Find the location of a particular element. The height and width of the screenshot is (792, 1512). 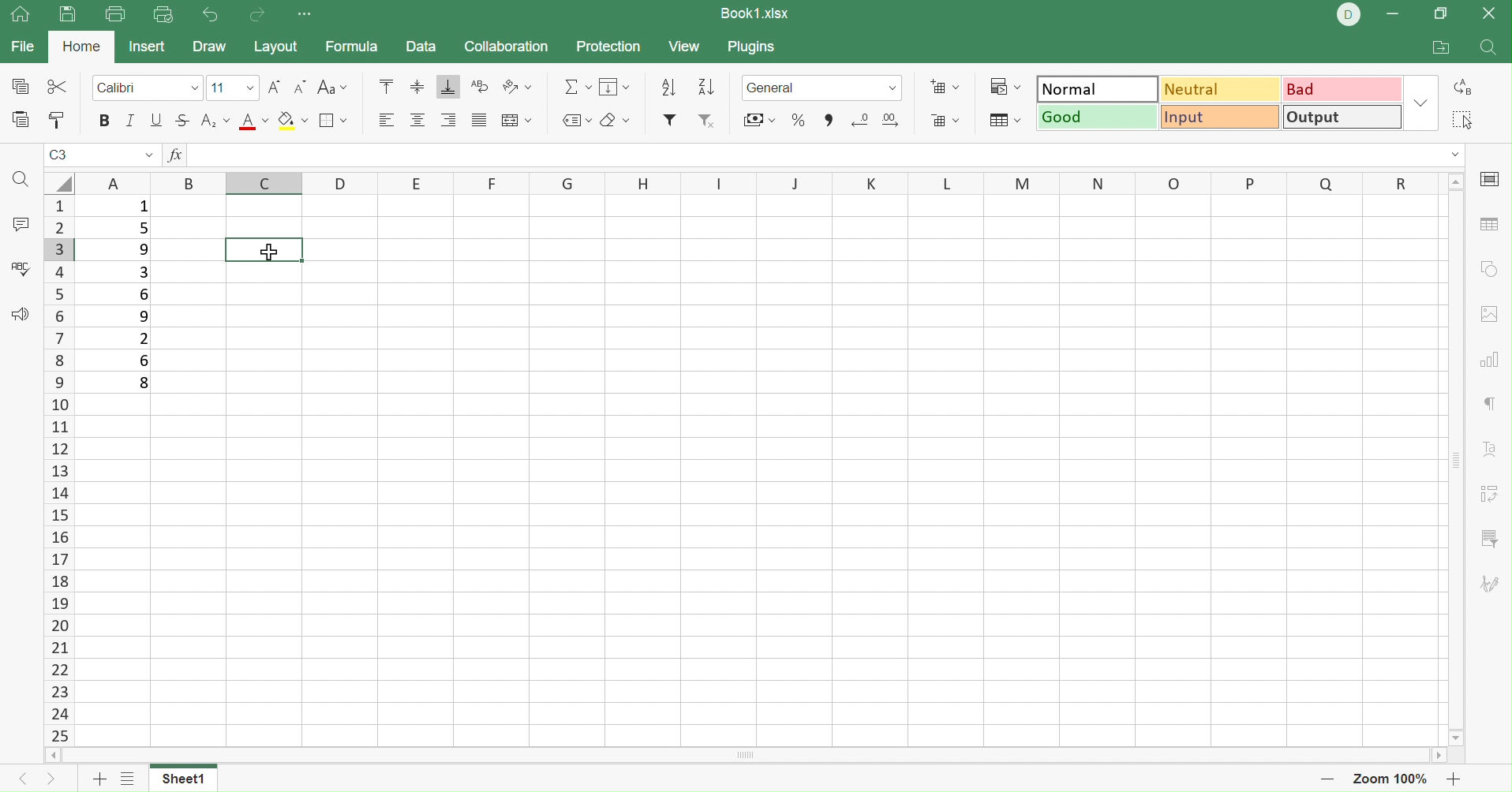

6 is located at coordinates (144, 361).